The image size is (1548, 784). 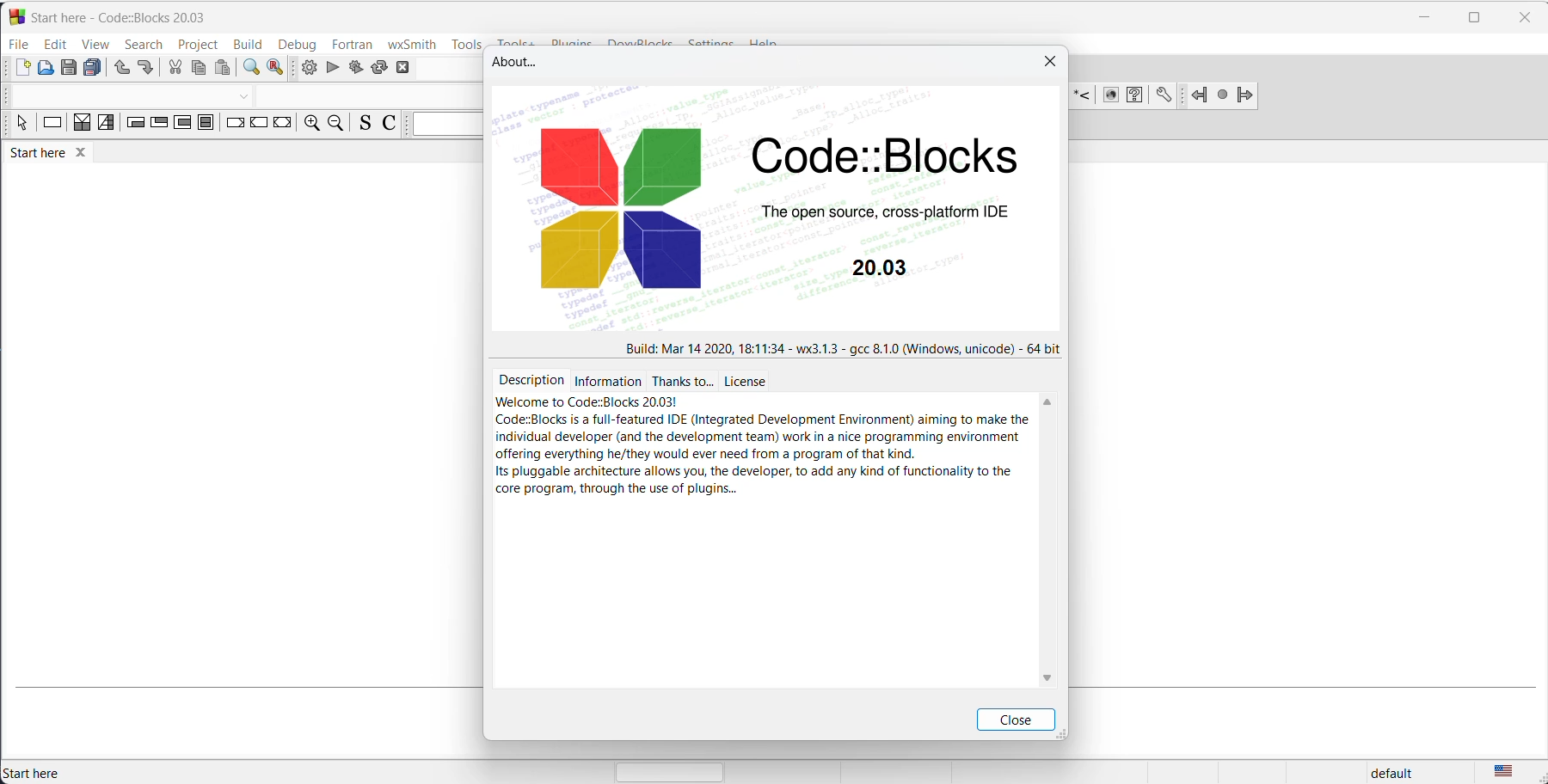 I want to click on source comments, so click(x=366, y=123).